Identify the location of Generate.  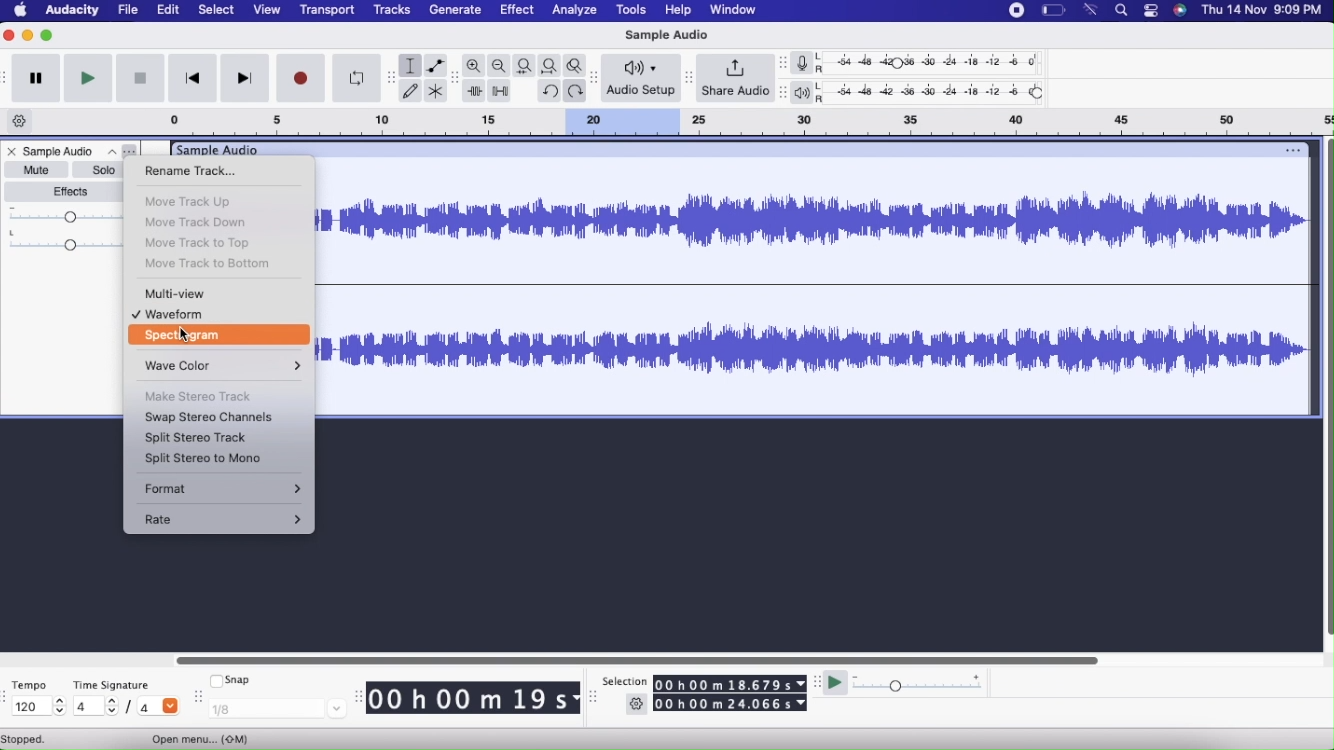
(456, 11).